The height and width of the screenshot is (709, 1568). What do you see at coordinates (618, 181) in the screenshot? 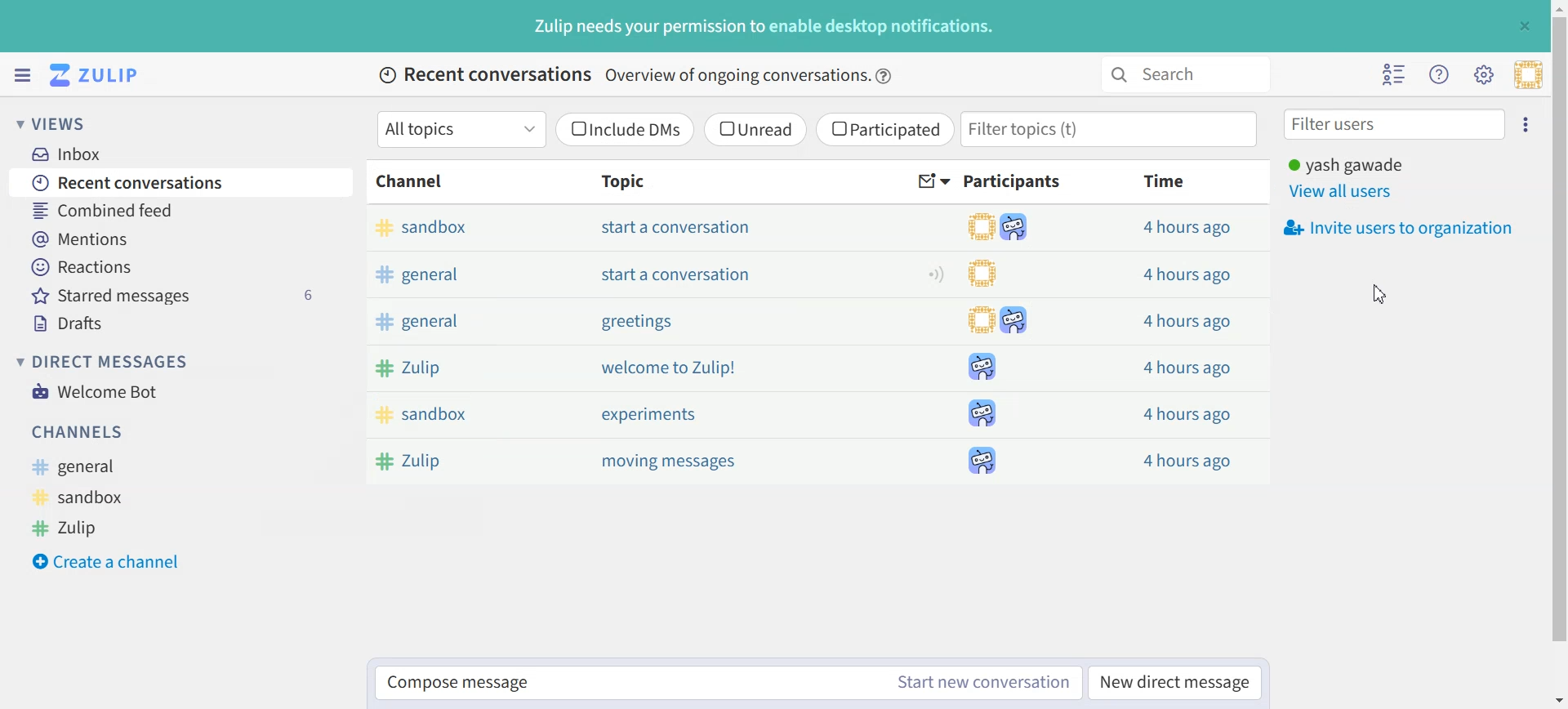
I see `Topic` at bounding box center [618, 181].